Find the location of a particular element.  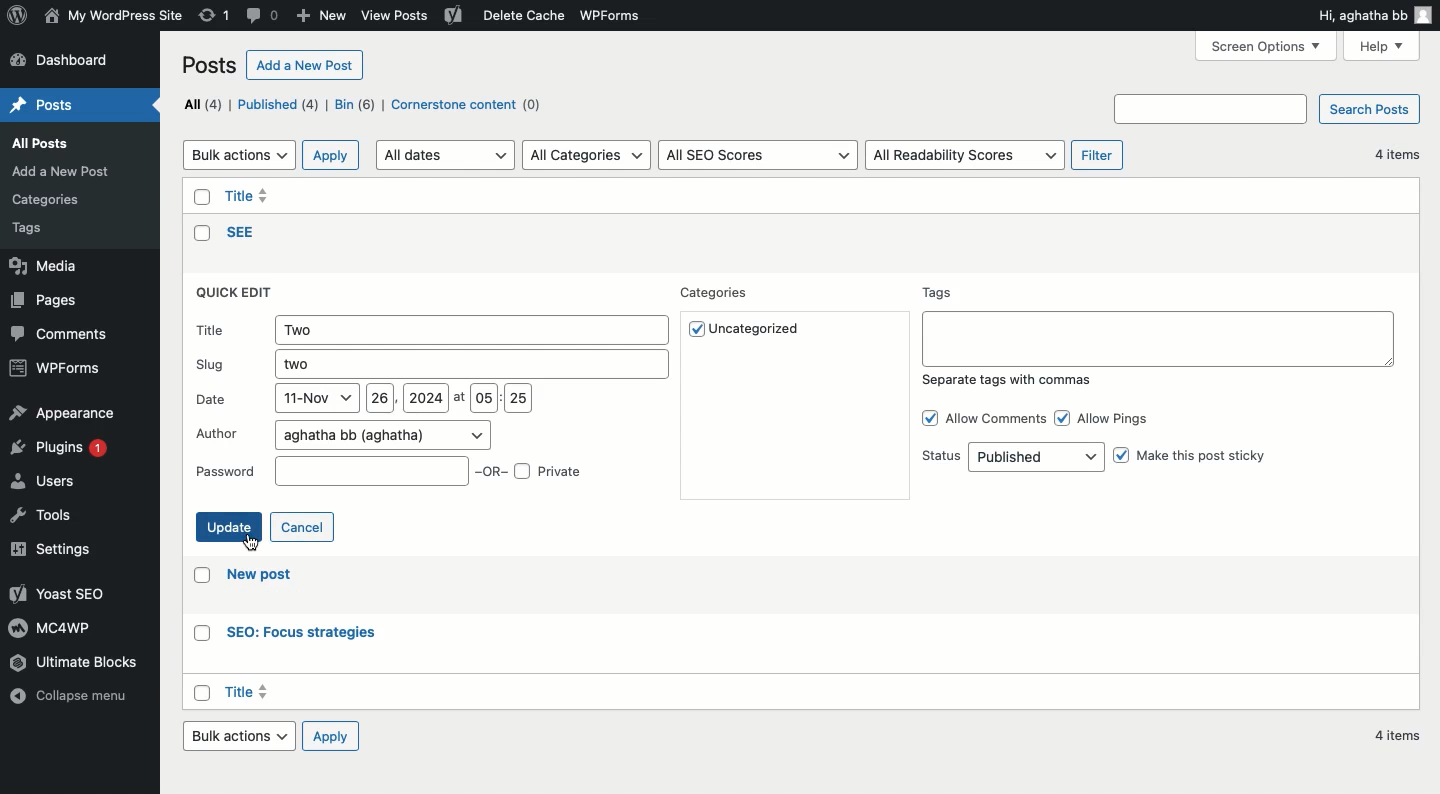

tags is located at coordinates (40, 230).